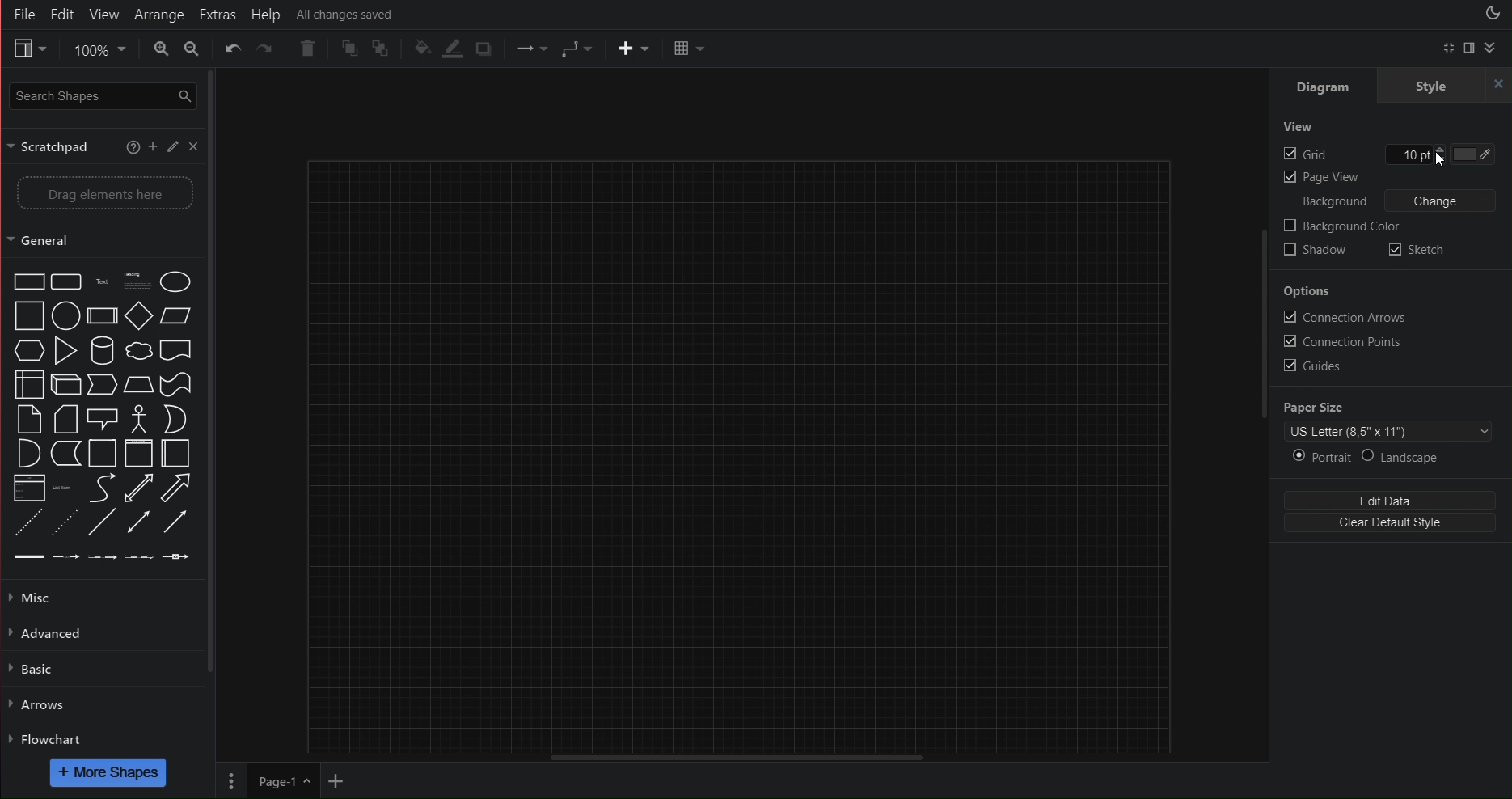 The height and width of the screenshot is (799, 1512). What do you see at coordinates (350, 13) in the screenshot?
I see `All changes saved` at bounding box center [350, 13].